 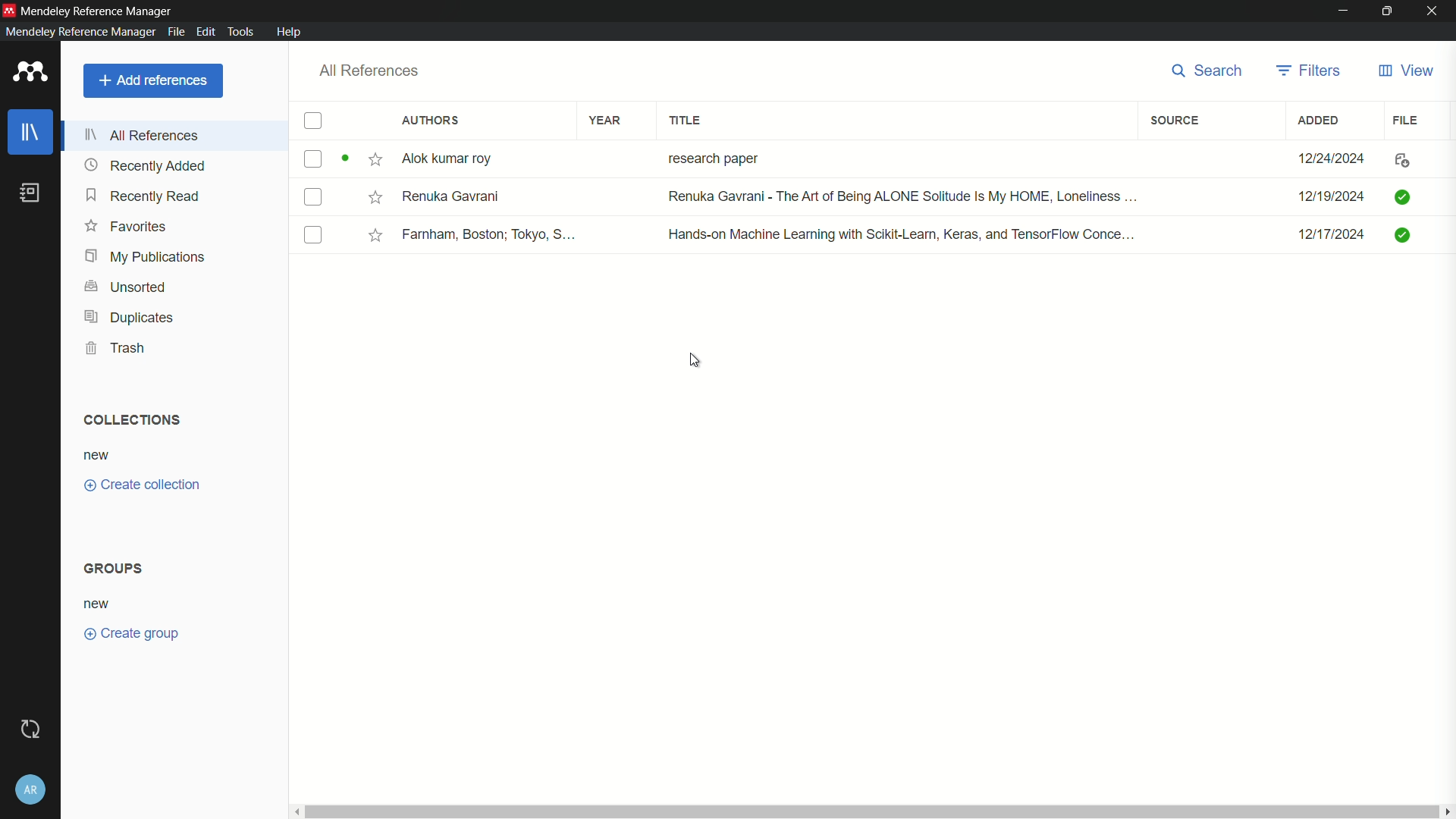 What do you see at coordinates (244, 32) in the screenshot?
I see `tools menu` at bounding box center [244, 32].